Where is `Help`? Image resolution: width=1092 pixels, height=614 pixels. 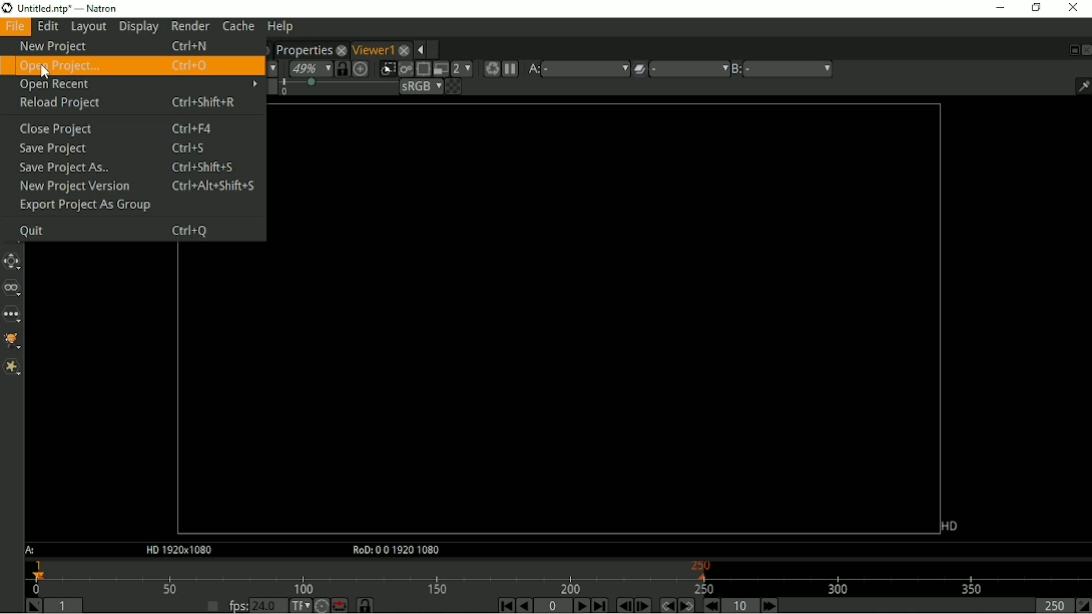 Help is located at coordinates (279, 27).